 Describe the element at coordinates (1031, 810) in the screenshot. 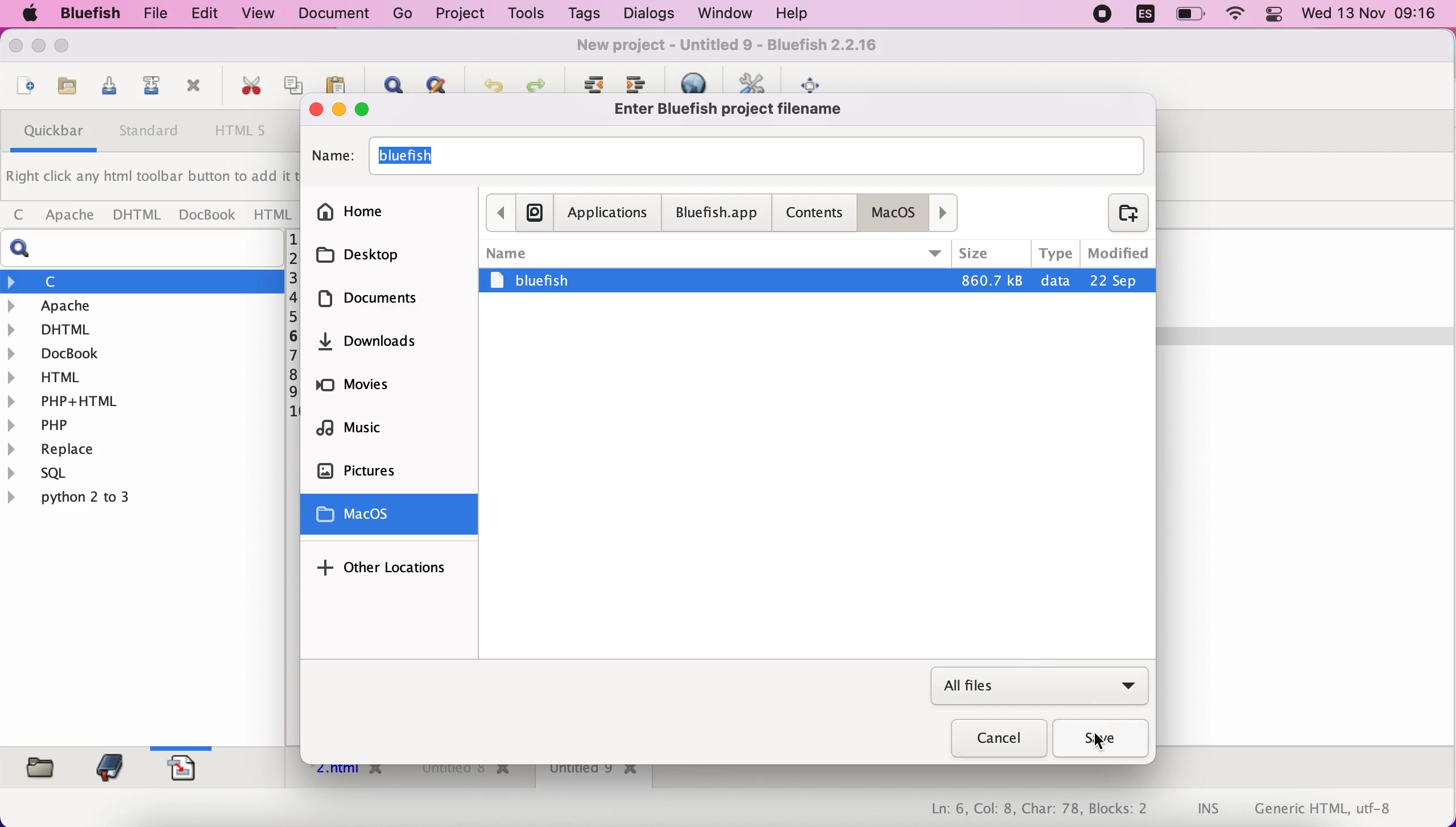

I see `lines, column, blocks` at that location.